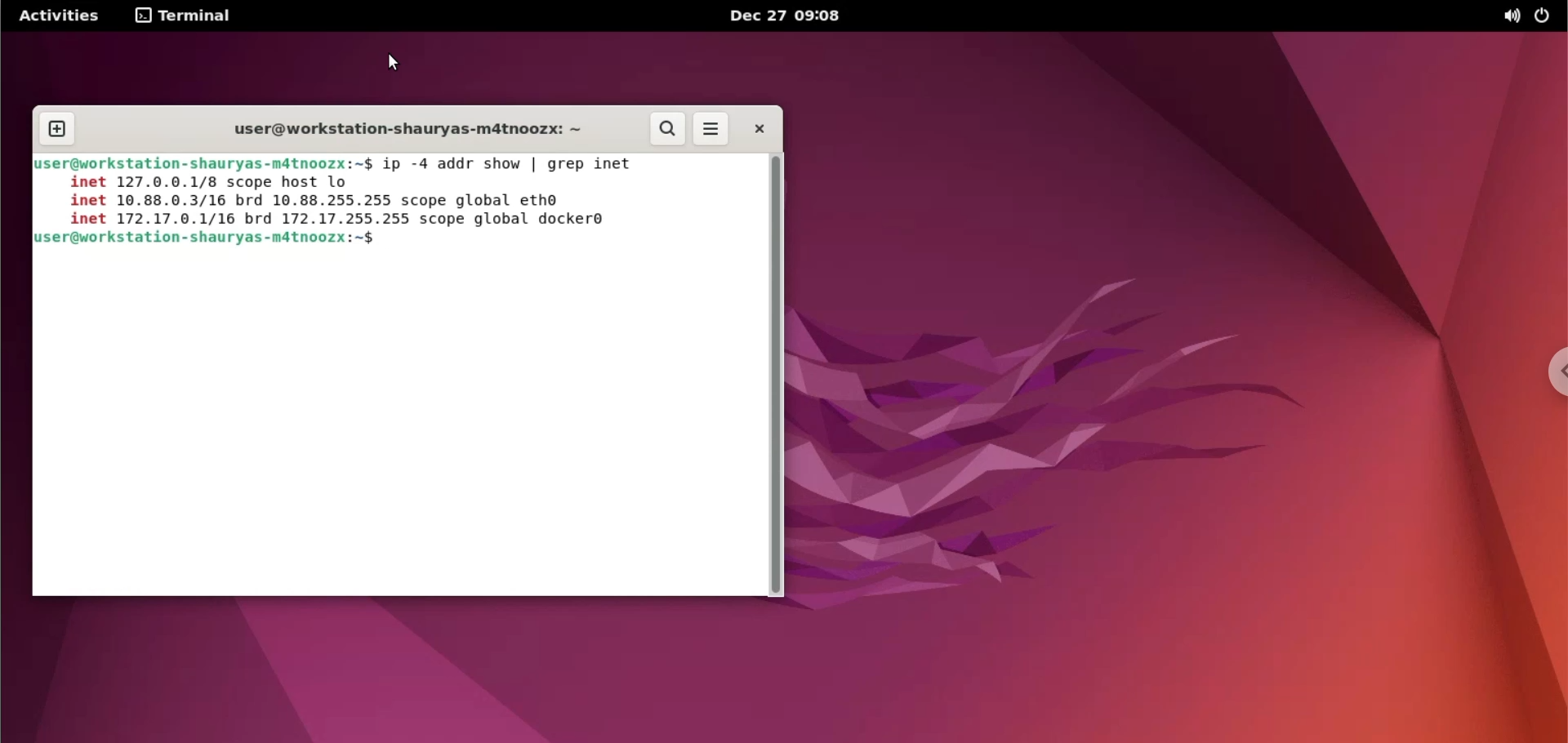  Describe the element at coordinates (1508, 15) in the screenshot. I see `sound options` at that location.